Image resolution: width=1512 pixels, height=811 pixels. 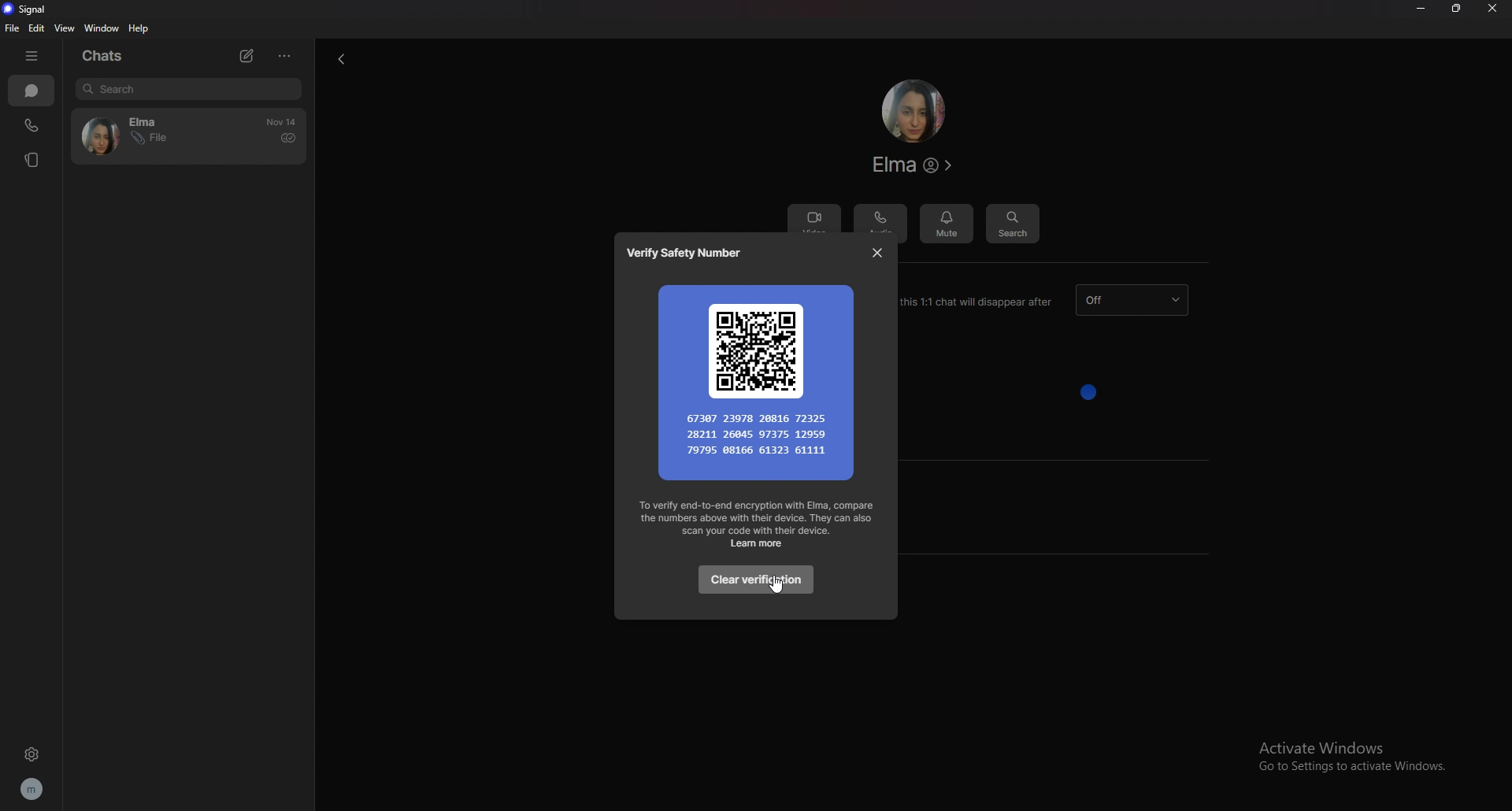 What do you see at coordinates (915, 165) in the screenshot?
I see `contact name` at bounding box center [915, 165].